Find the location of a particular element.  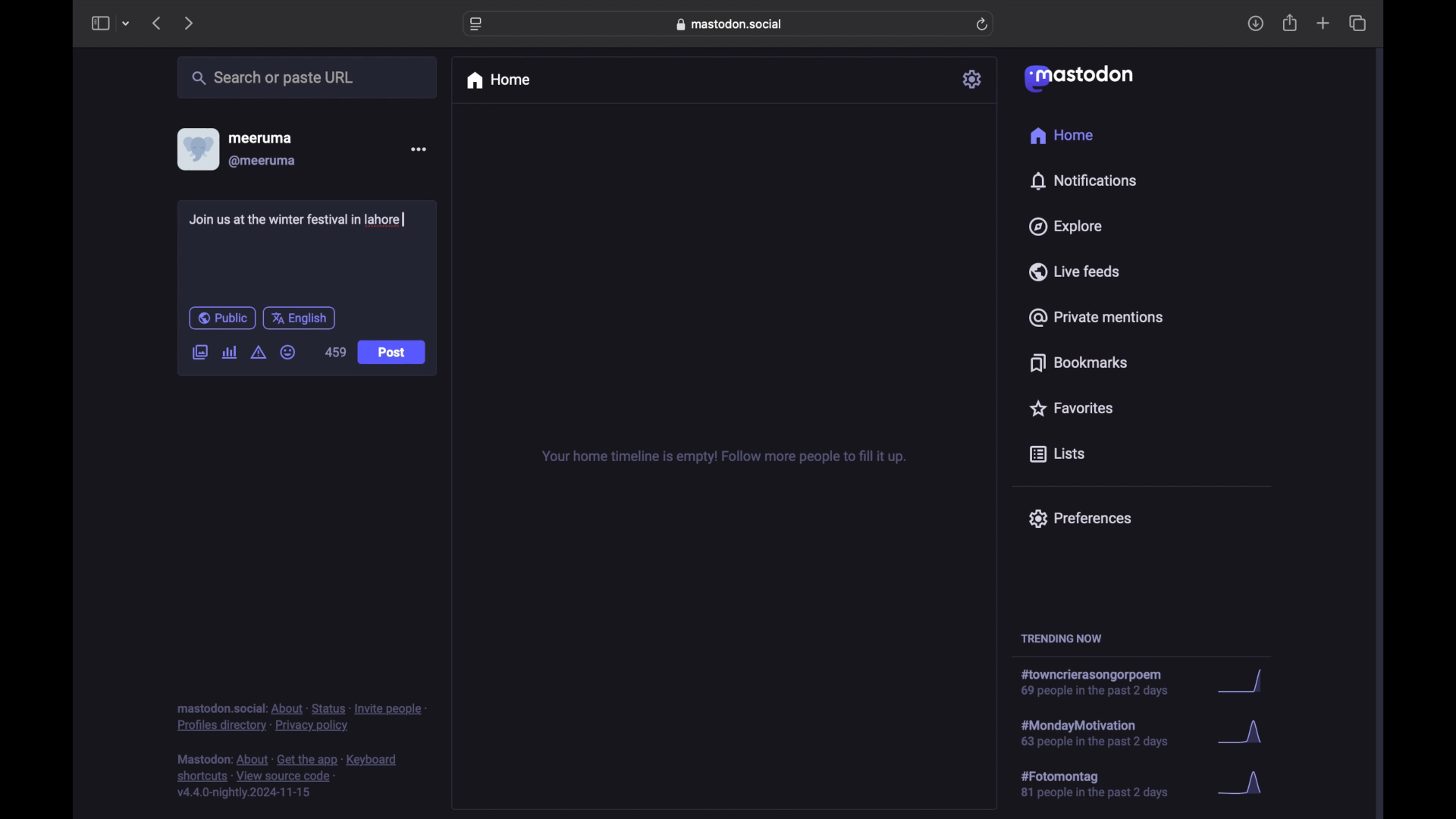

explore is located at coordinates (1064, 227).